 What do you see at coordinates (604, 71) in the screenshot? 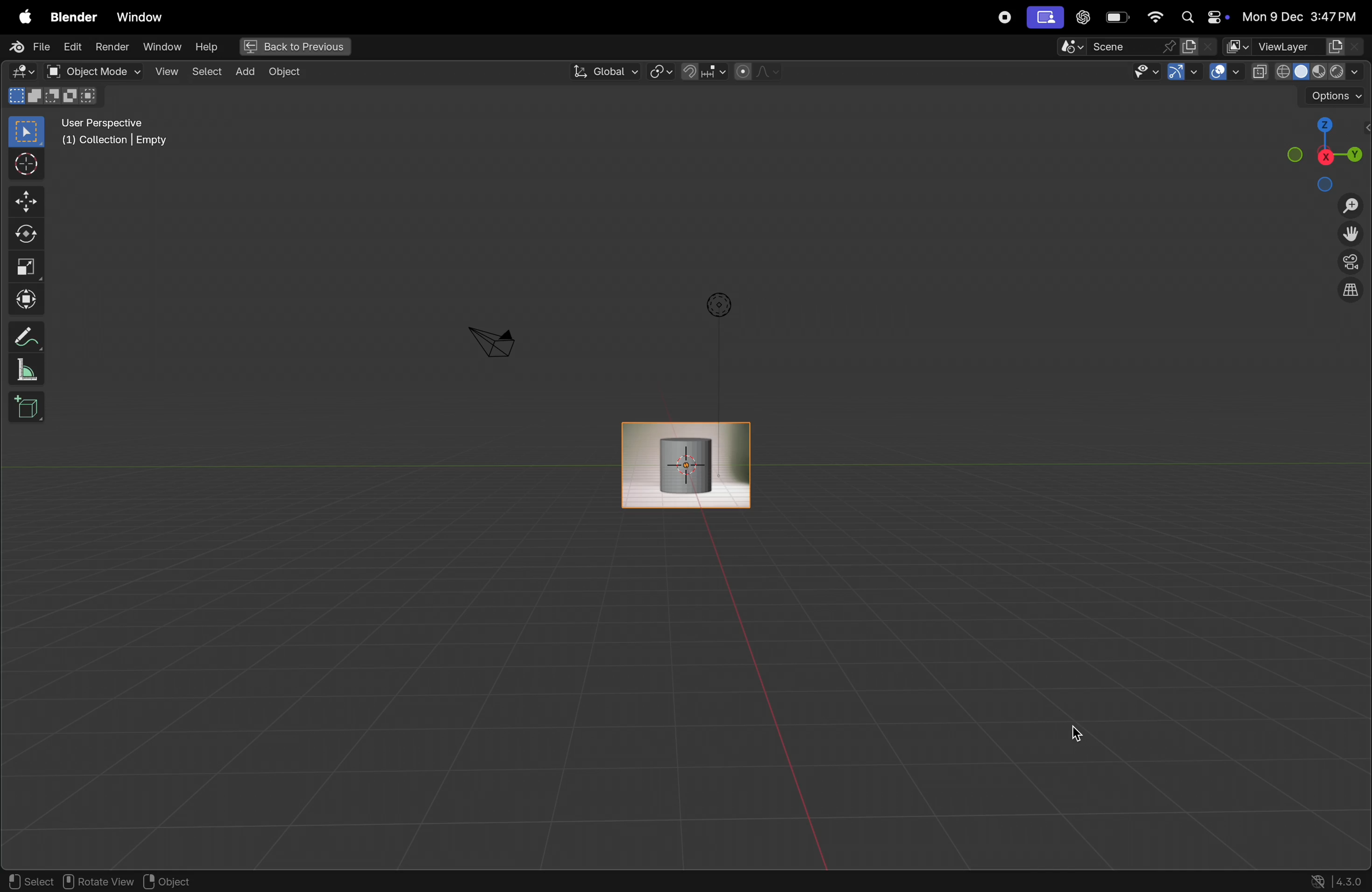
I see `global` at bounding box center [604, 71].